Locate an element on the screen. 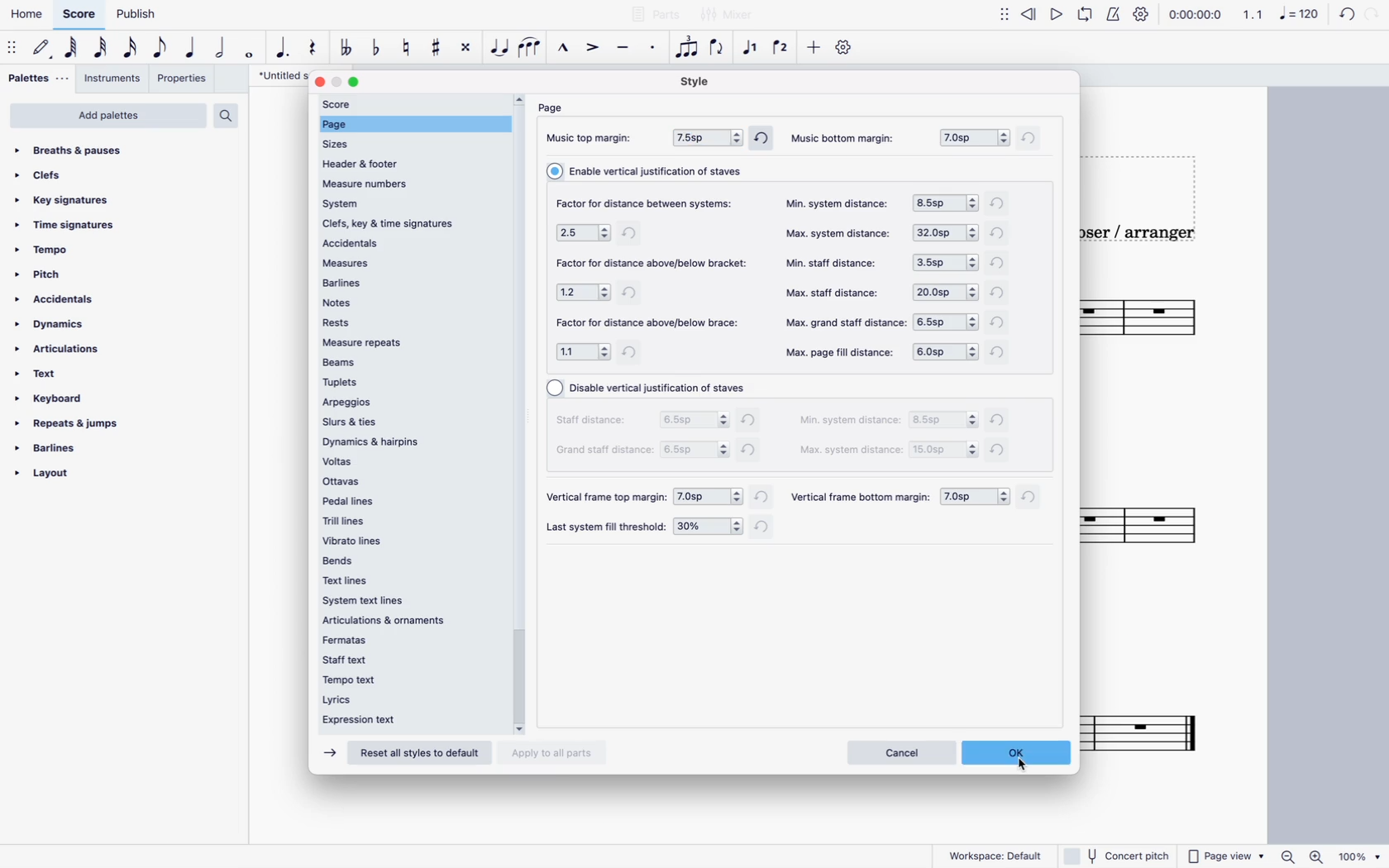 Image resolution: width=1389 pixels, height=868 pixels. tenuto is located at coordinates (623, 50).